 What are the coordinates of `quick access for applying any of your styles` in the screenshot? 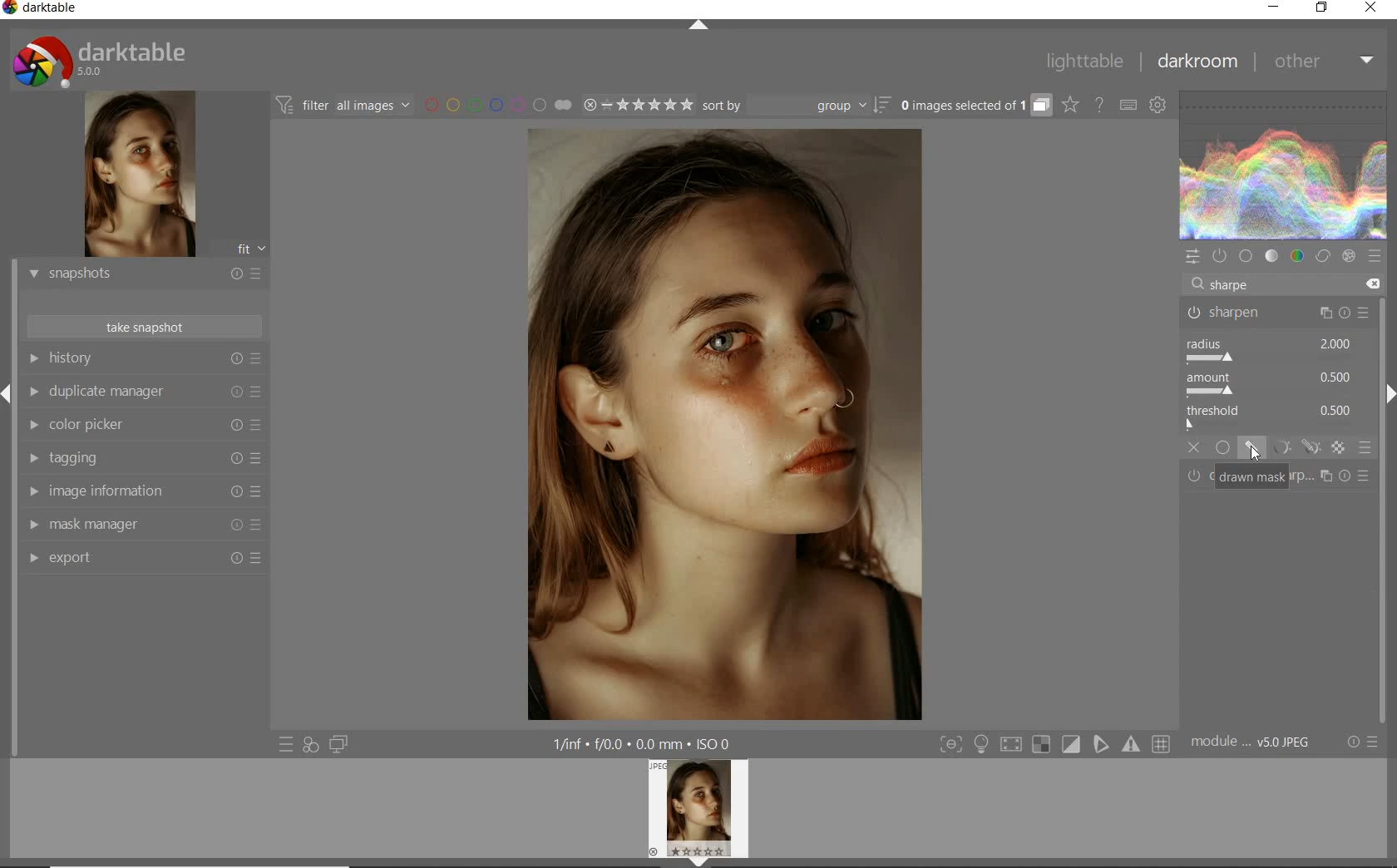 It's located at (309, 745).